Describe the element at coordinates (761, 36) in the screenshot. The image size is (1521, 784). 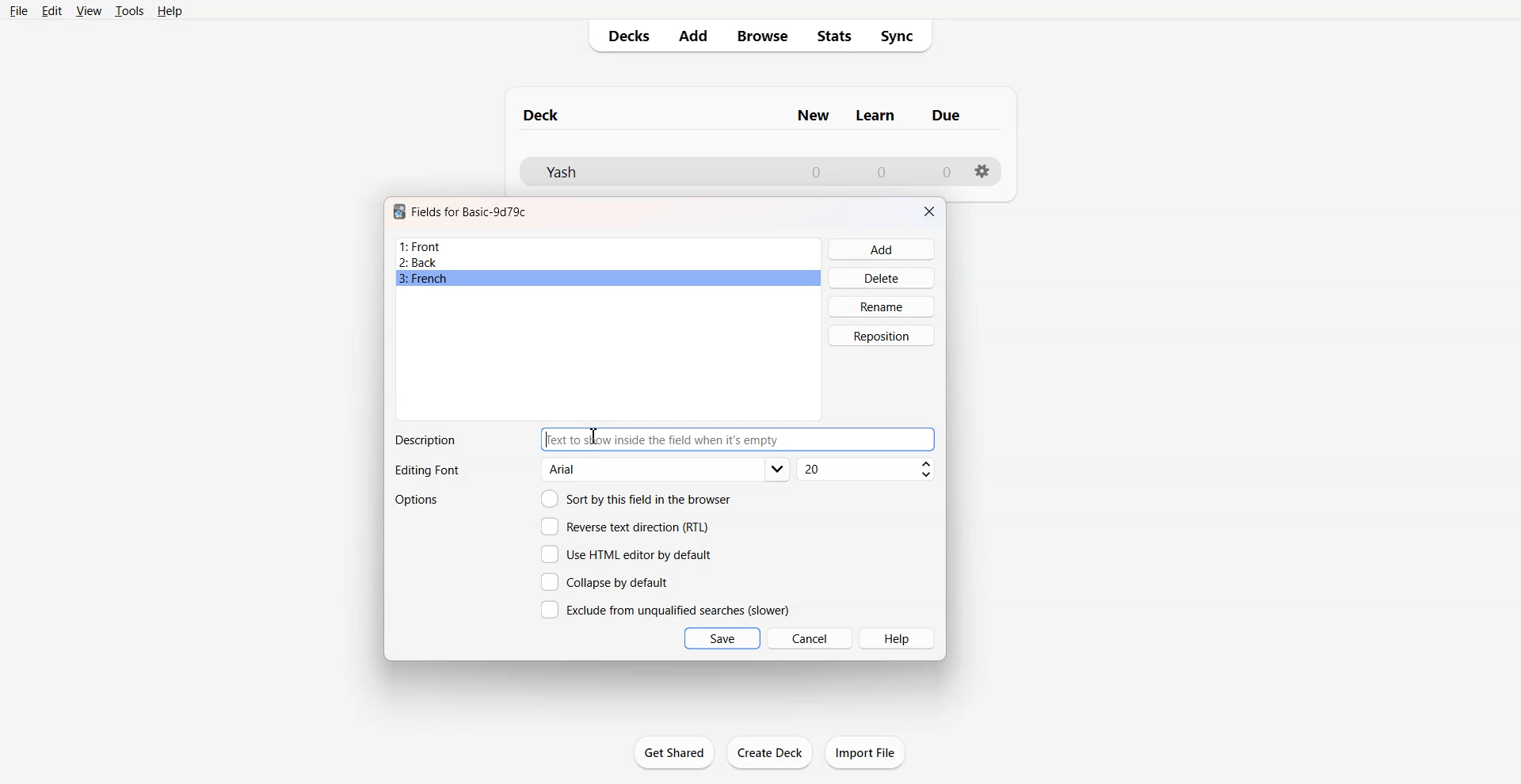
I see `Browse` at that location.